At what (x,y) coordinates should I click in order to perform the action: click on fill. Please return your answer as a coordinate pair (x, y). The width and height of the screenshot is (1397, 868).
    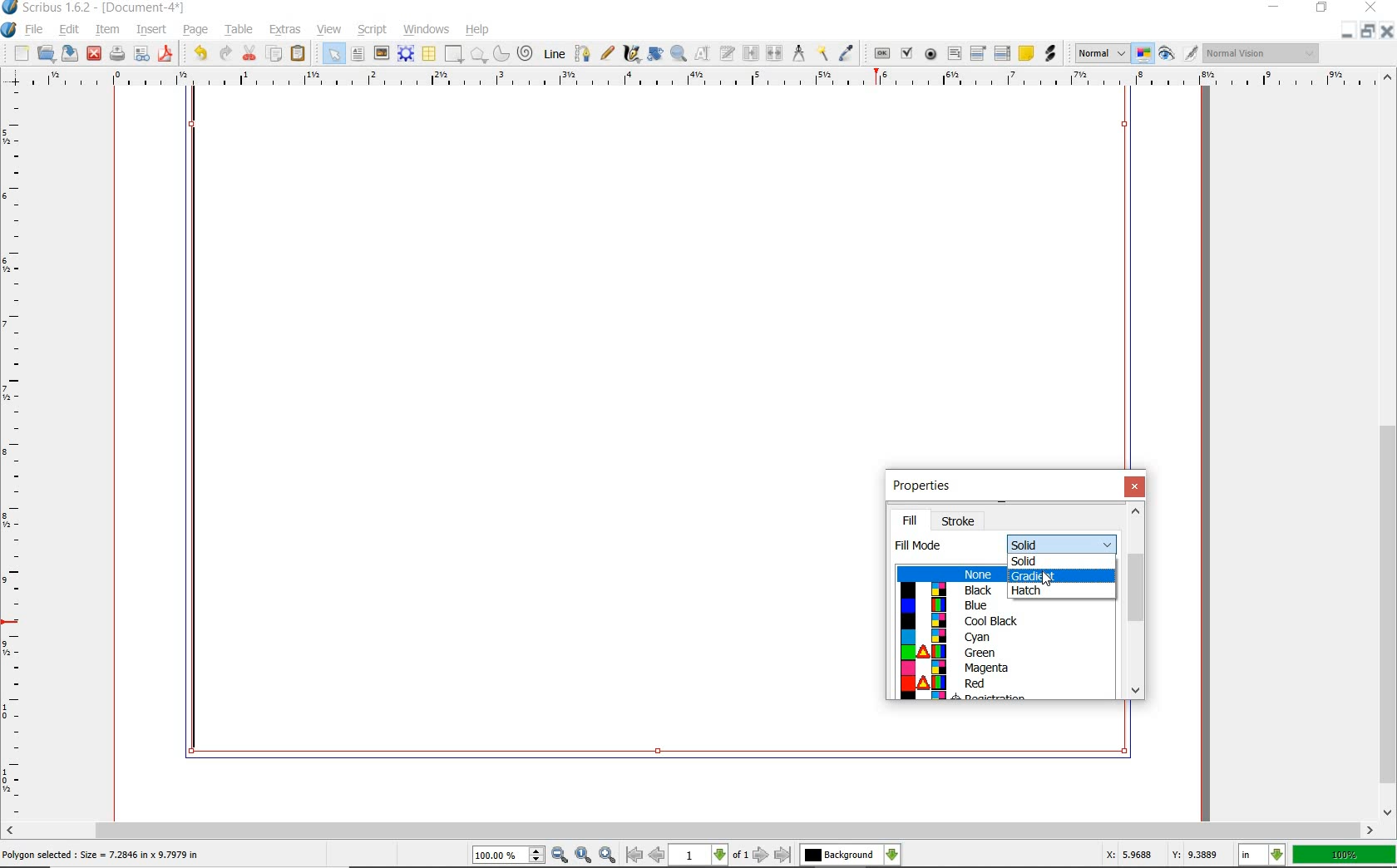
    Looking at the image, I should click on (909, 520).